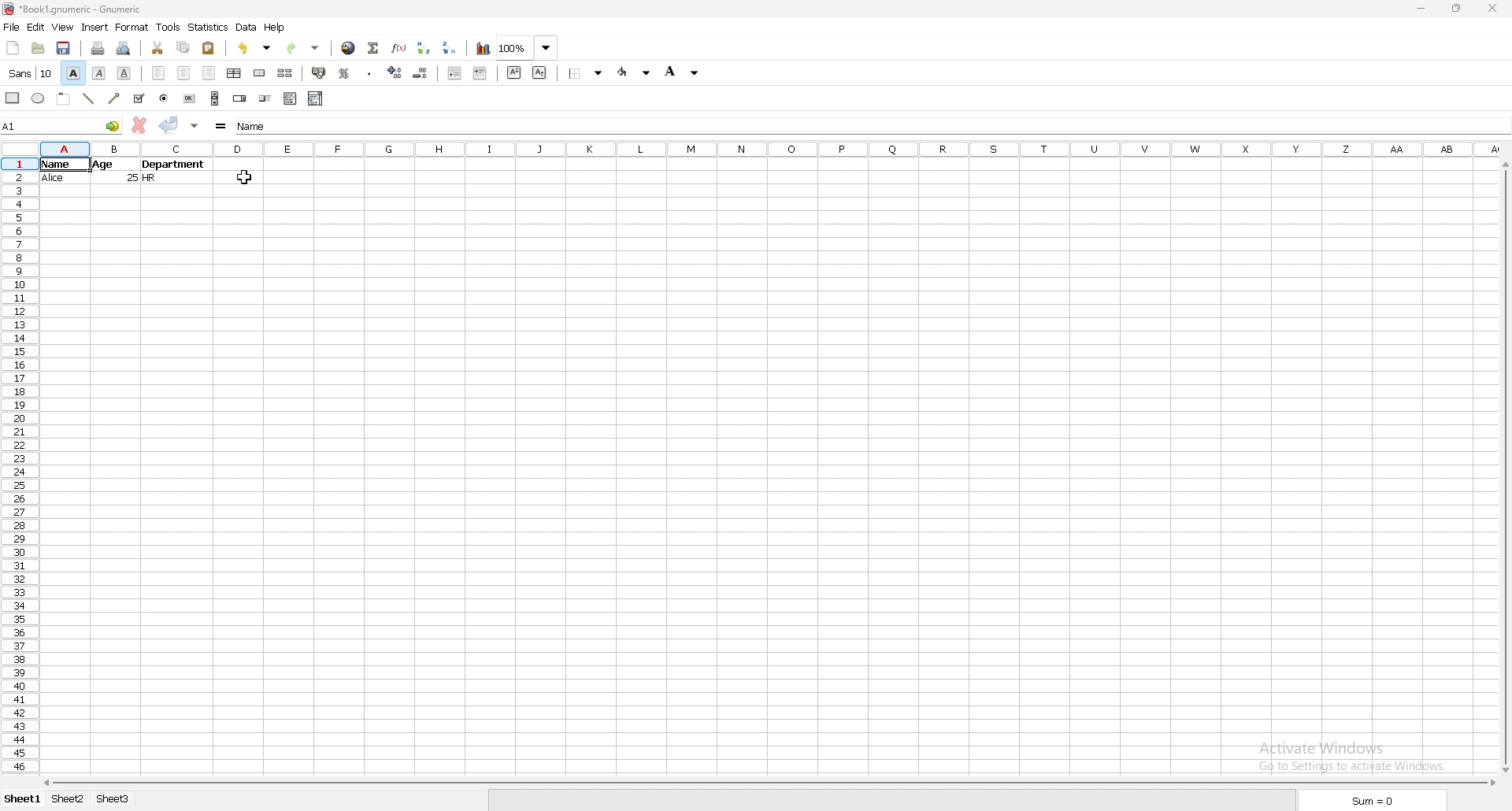  What do you see at coordinates (164, 98) in the screenshot?
I see `radio button` at bounding box center [164, 98].